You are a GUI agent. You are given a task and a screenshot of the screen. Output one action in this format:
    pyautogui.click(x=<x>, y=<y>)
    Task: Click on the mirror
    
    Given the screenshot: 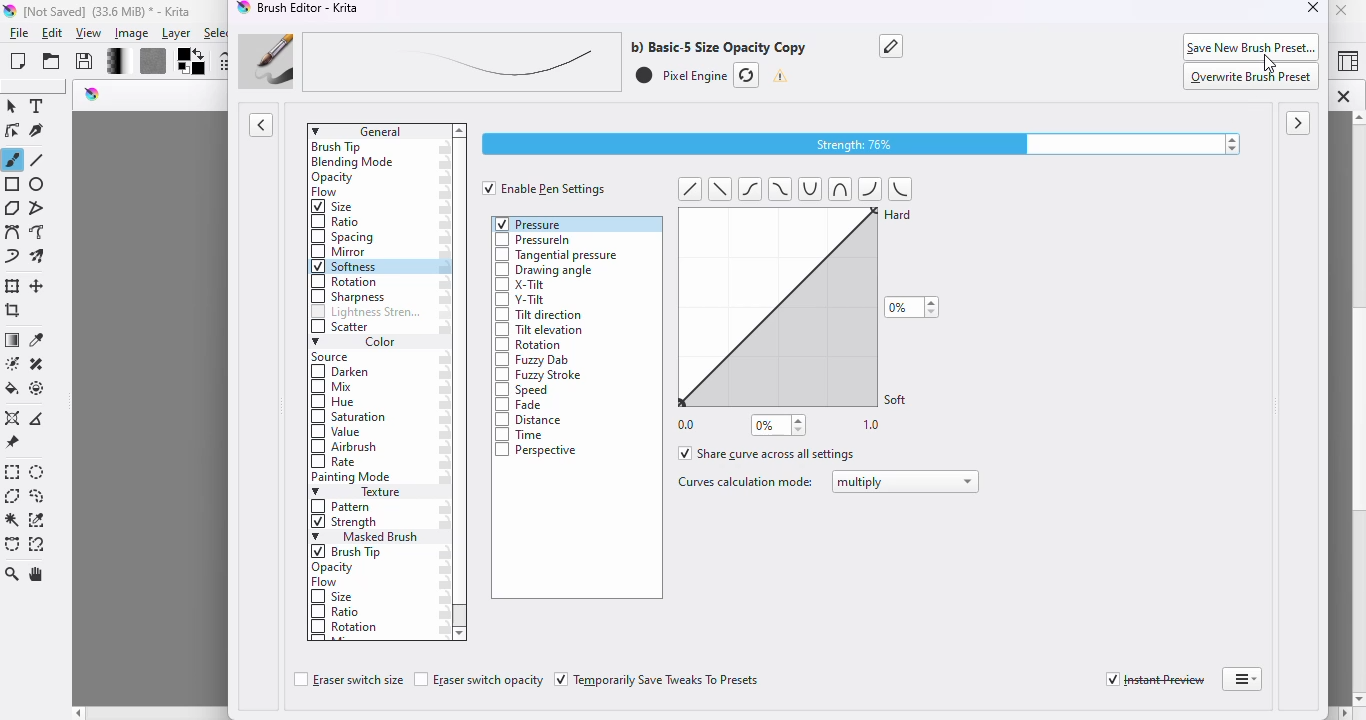 What is the action you would take?
    pyautogui.click(x=341, y=252)
    